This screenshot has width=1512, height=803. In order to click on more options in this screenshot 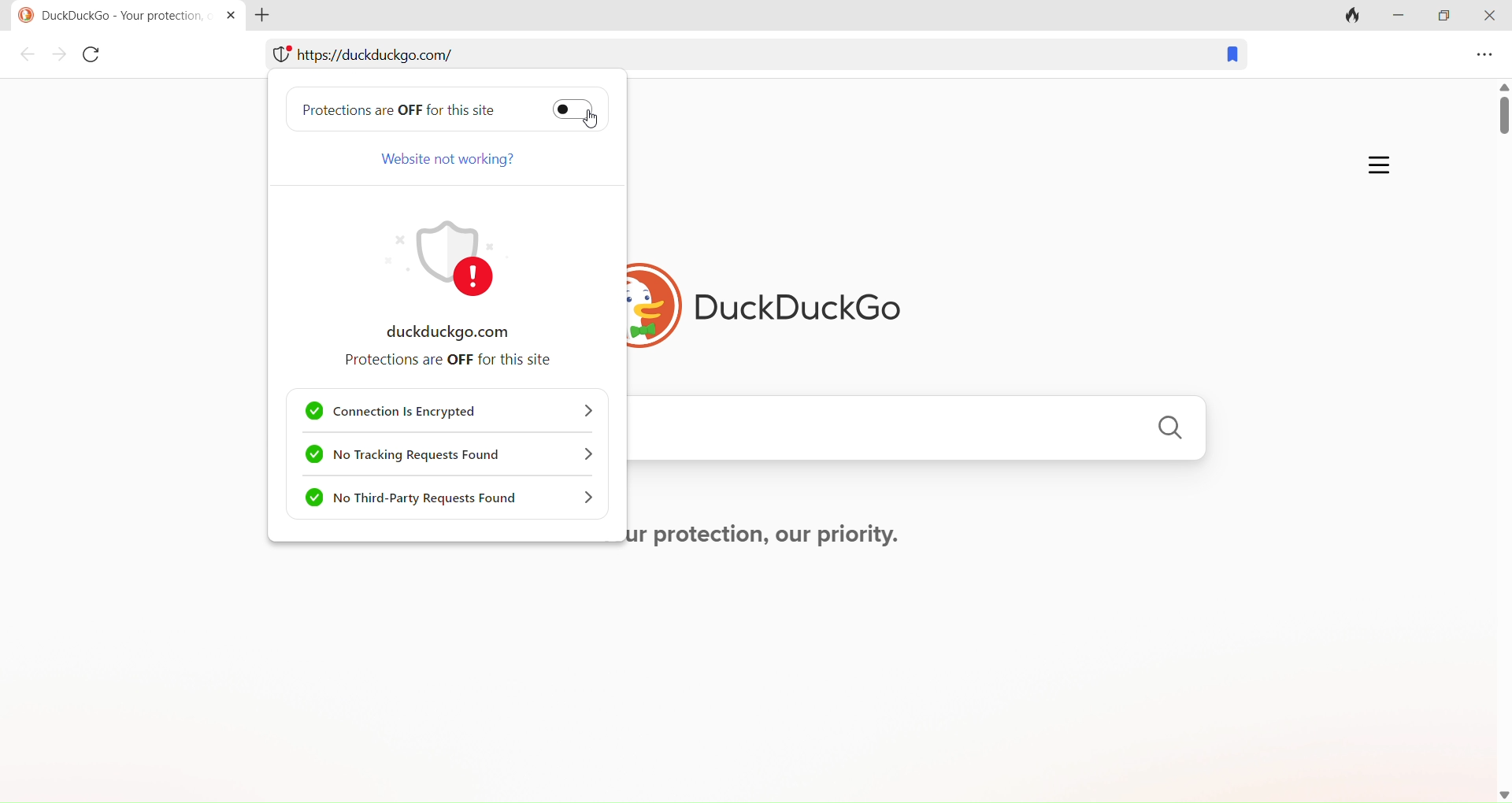, I will do `click(1374, 162)`.